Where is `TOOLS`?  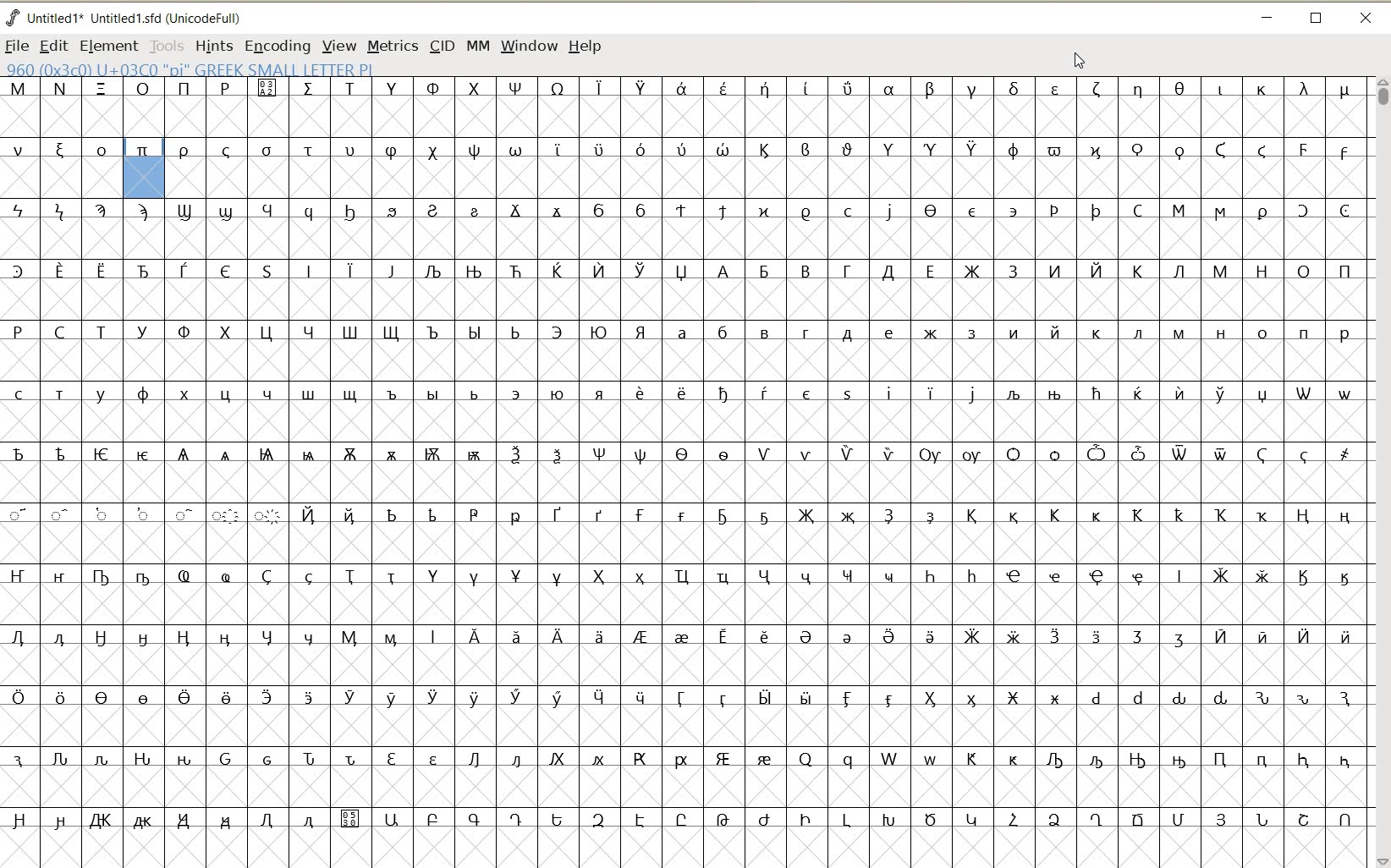
TOOLS is located at coordinates (168, 45).